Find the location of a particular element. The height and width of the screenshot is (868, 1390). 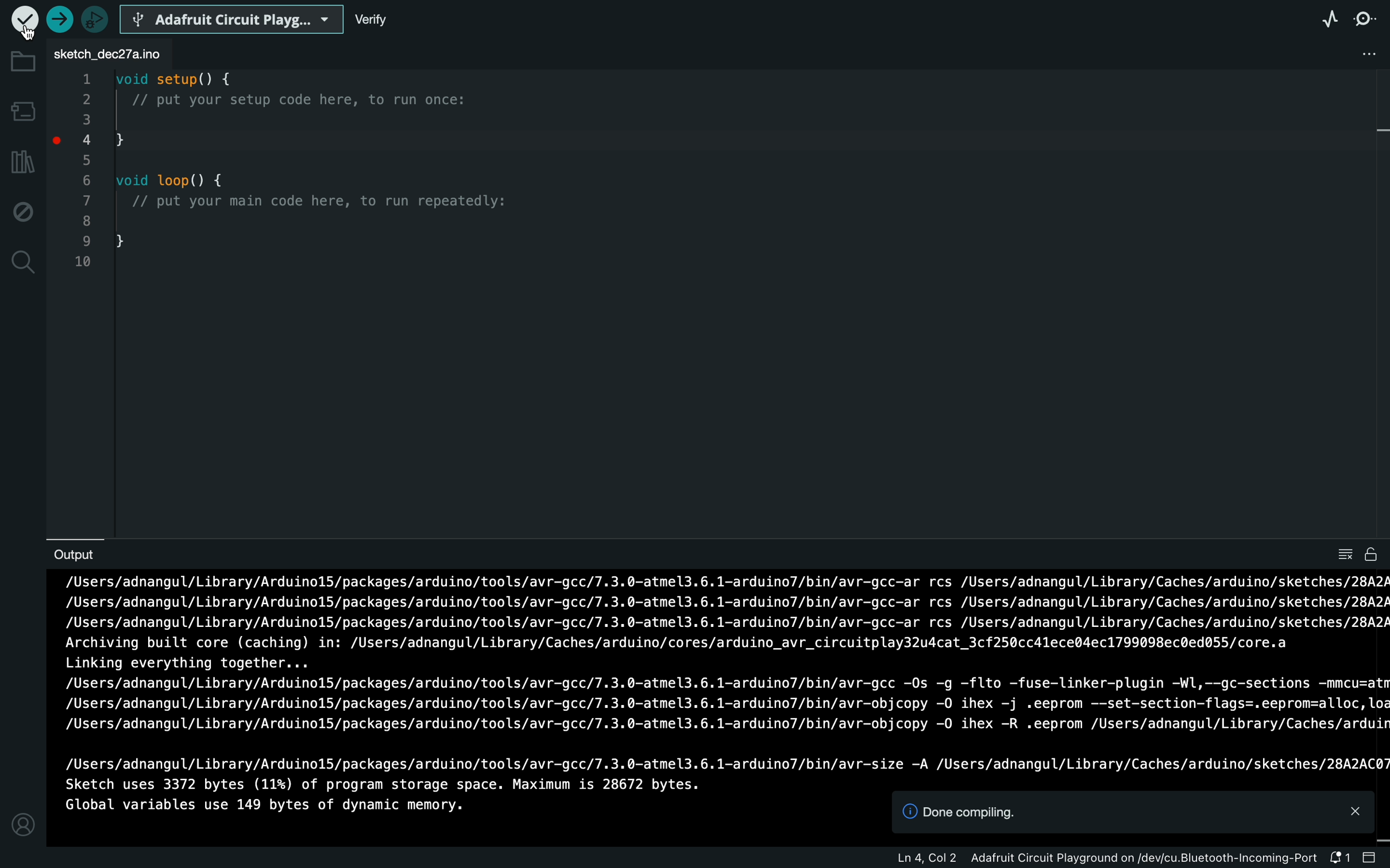

debug is located at coordinates (21, 211).